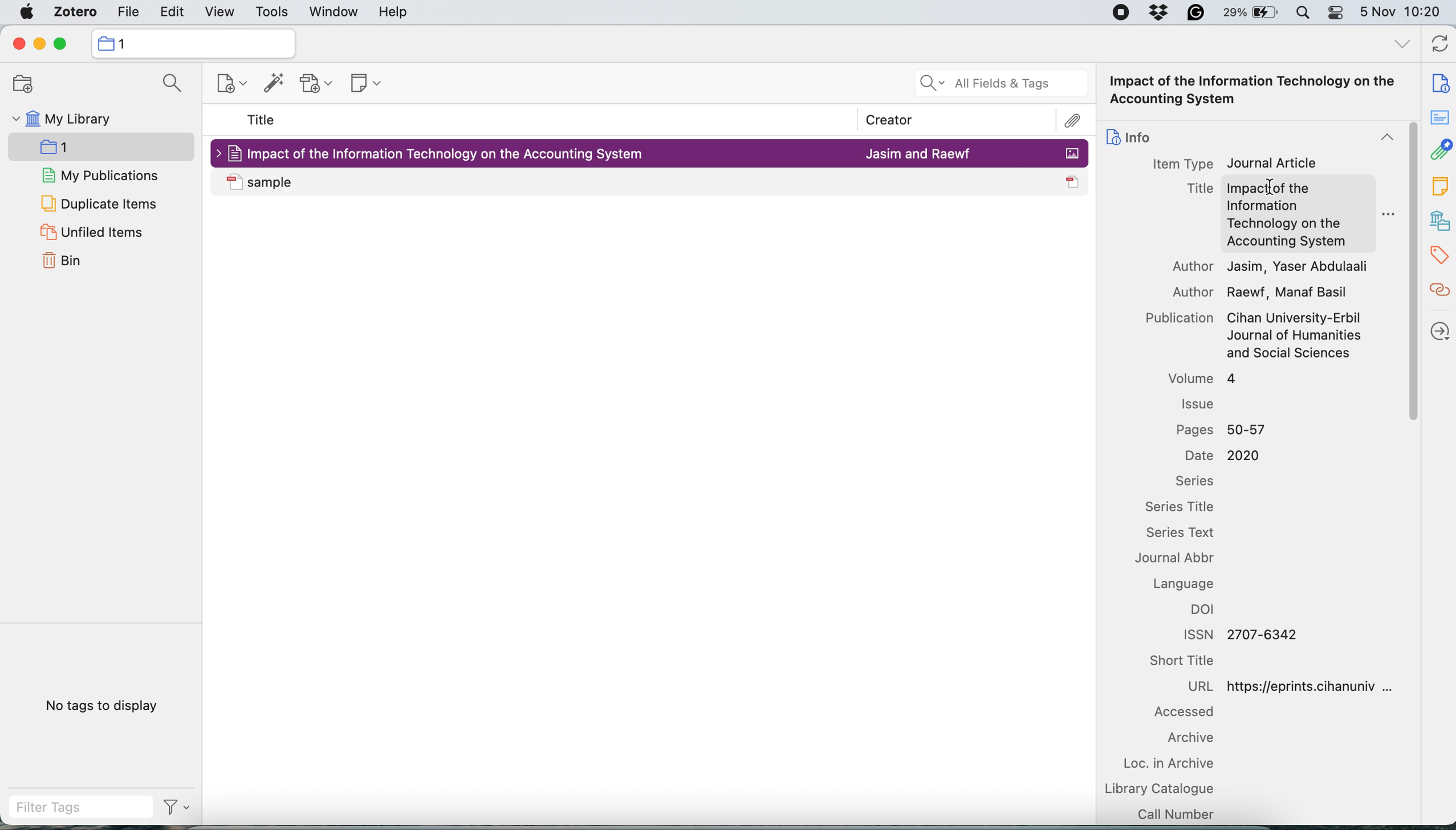 This screenshot has height=830, width=1456. What do you see at coordinates (63, 262) in the screenshot?
I see `bin` at bounding box center [63, 262].